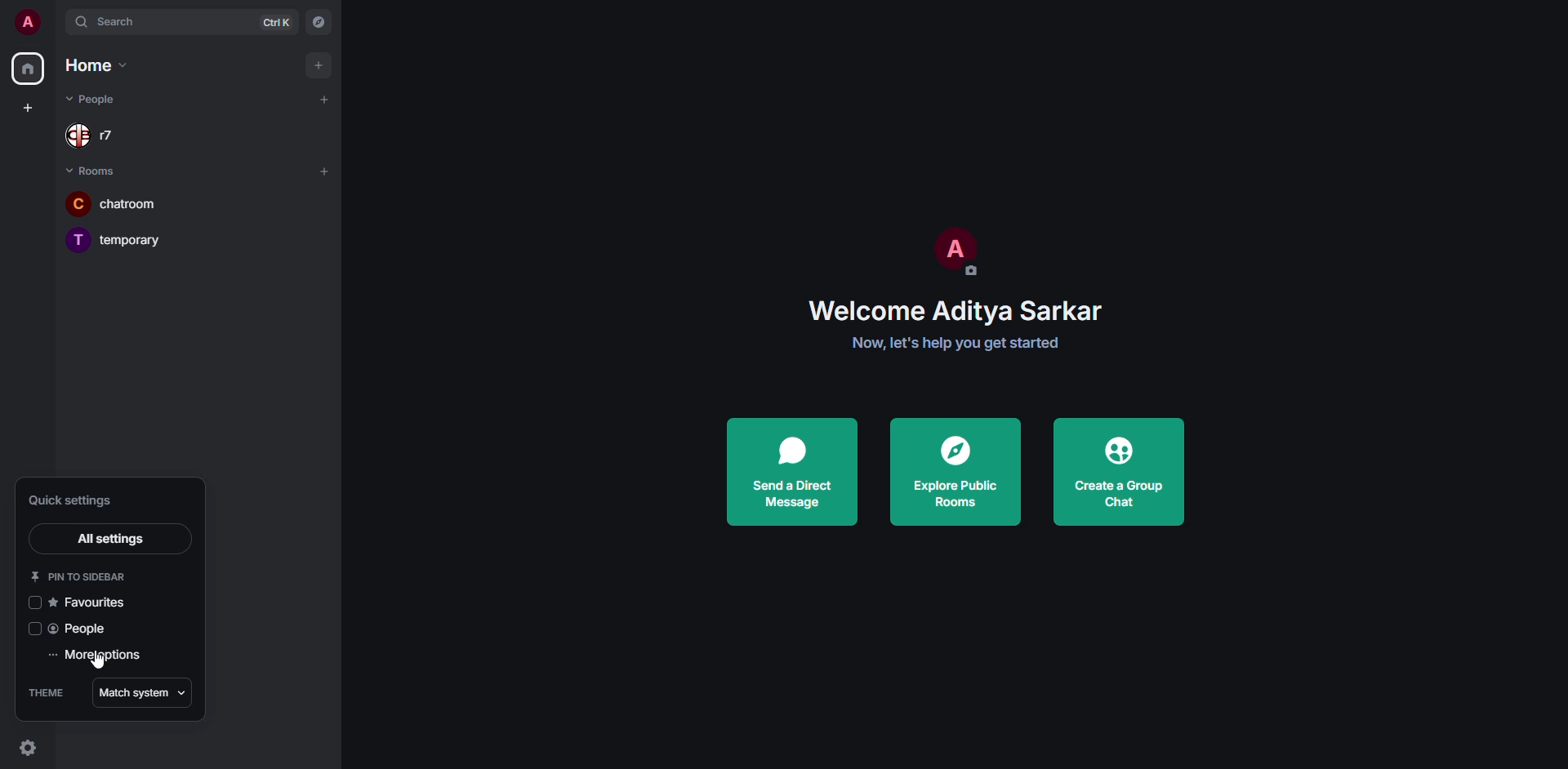 Image resolution: width=1568 pixels, height=769 pixels. I want to click on profile, so click(25, 24).